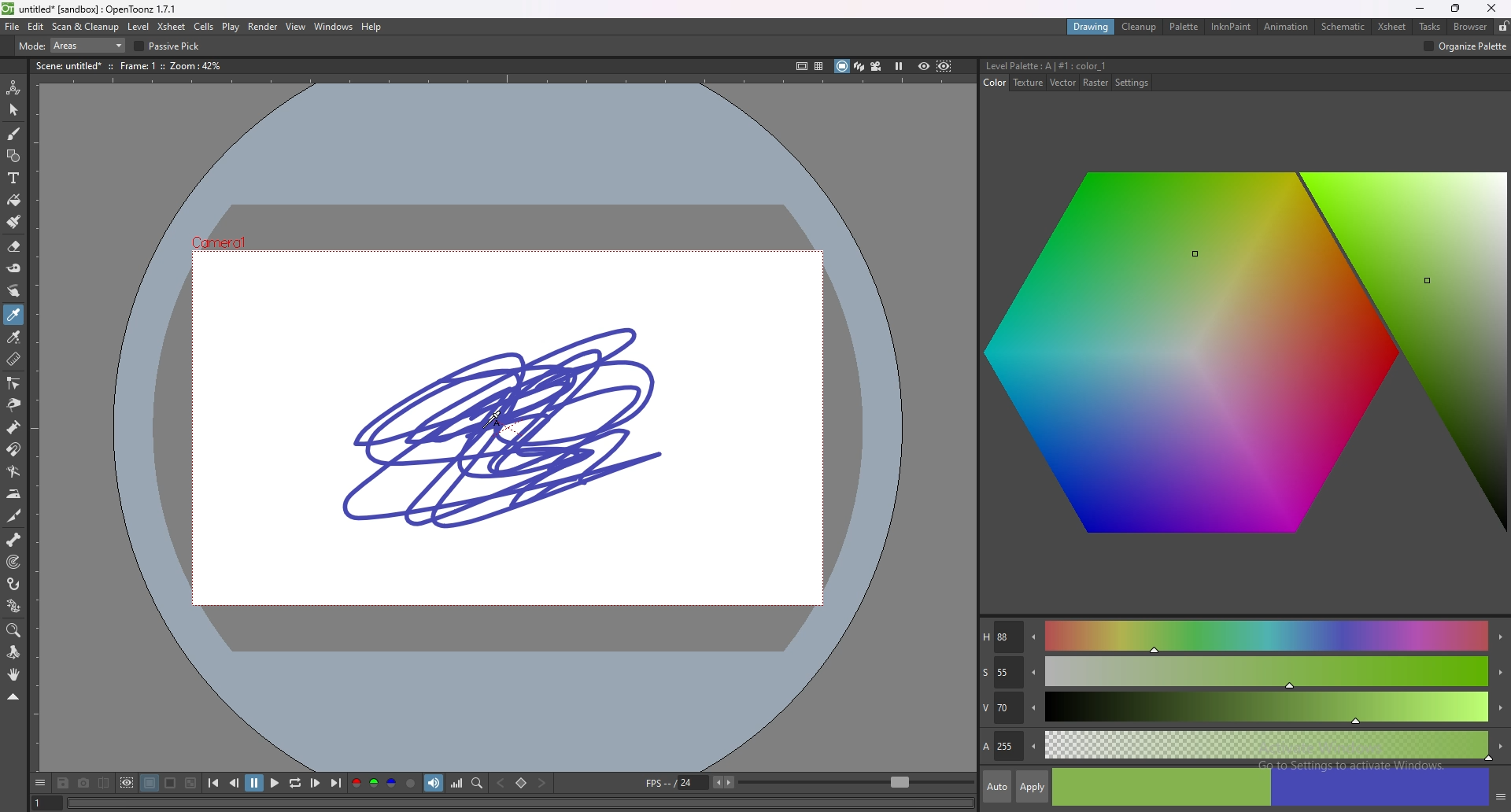 The width and height of the screenshot is (1511, 812). Describe the element at coordinates (1184, 26) in the screenshot. I see `palette` at that location.